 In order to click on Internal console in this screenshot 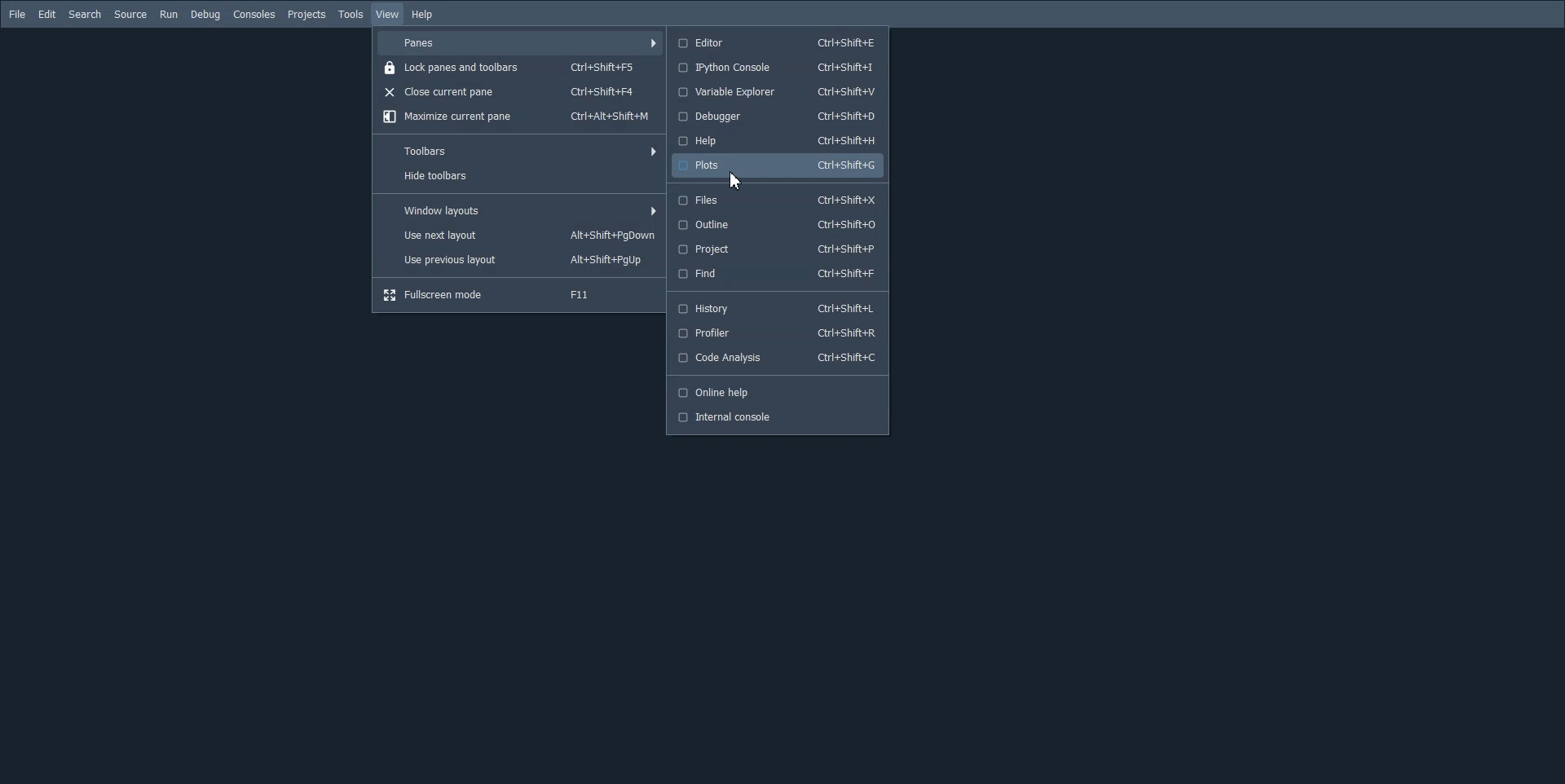, I will do `click(778, 417)`.